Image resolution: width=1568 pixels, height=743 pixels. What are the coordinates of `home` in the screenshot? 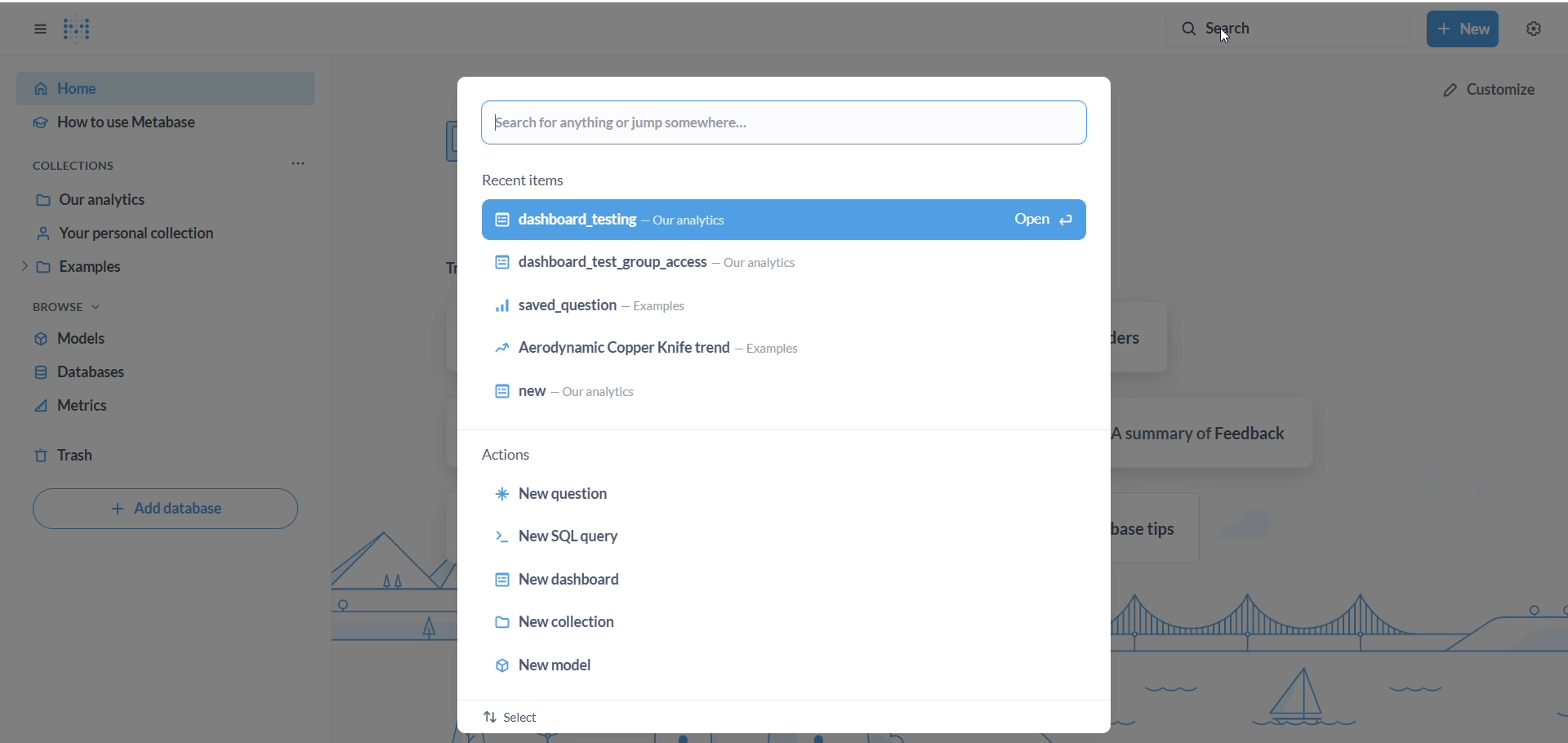 It's located at (153, 86).